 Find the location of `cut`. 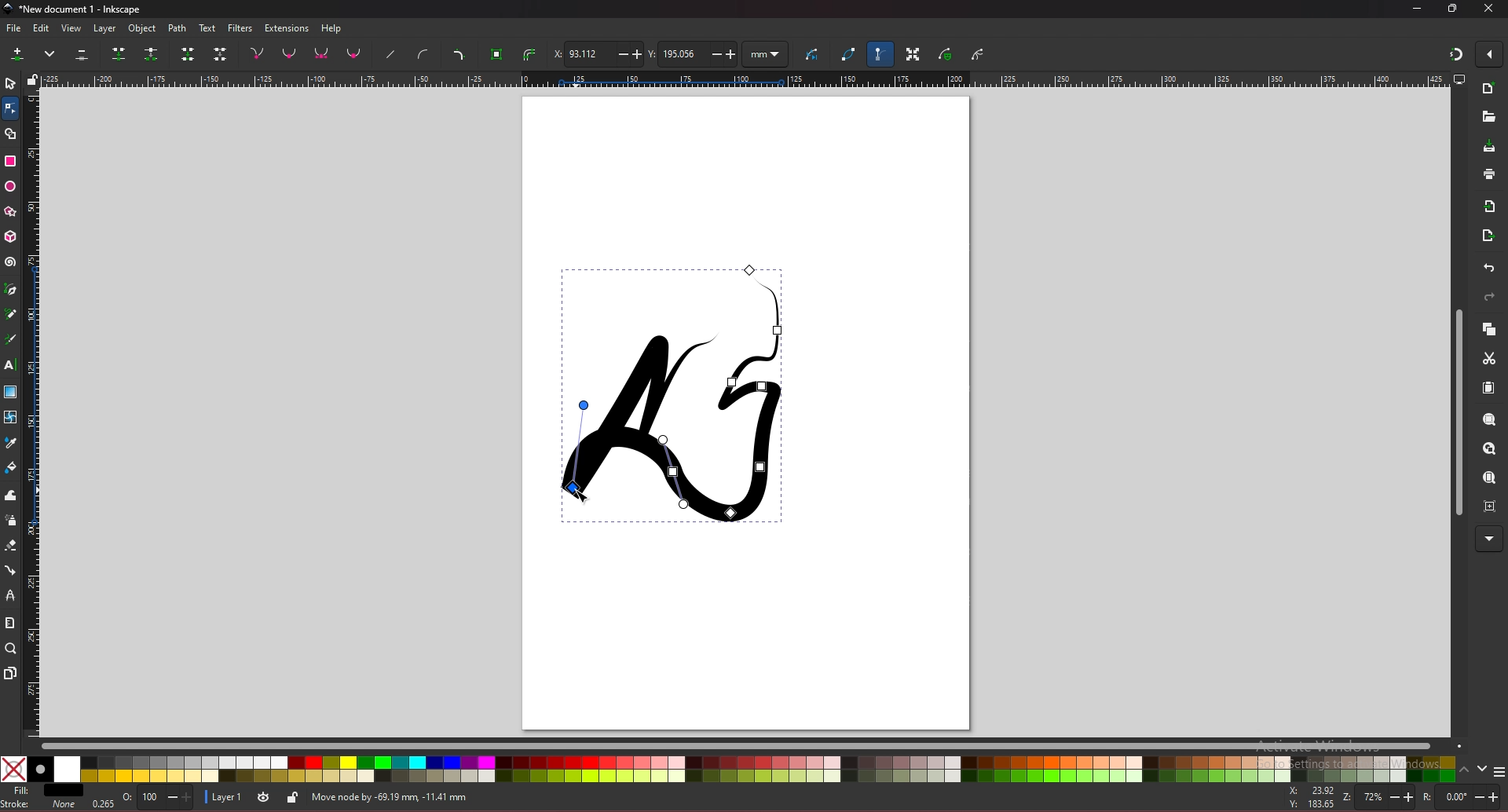

cut is located at coordinates (1490, 358).